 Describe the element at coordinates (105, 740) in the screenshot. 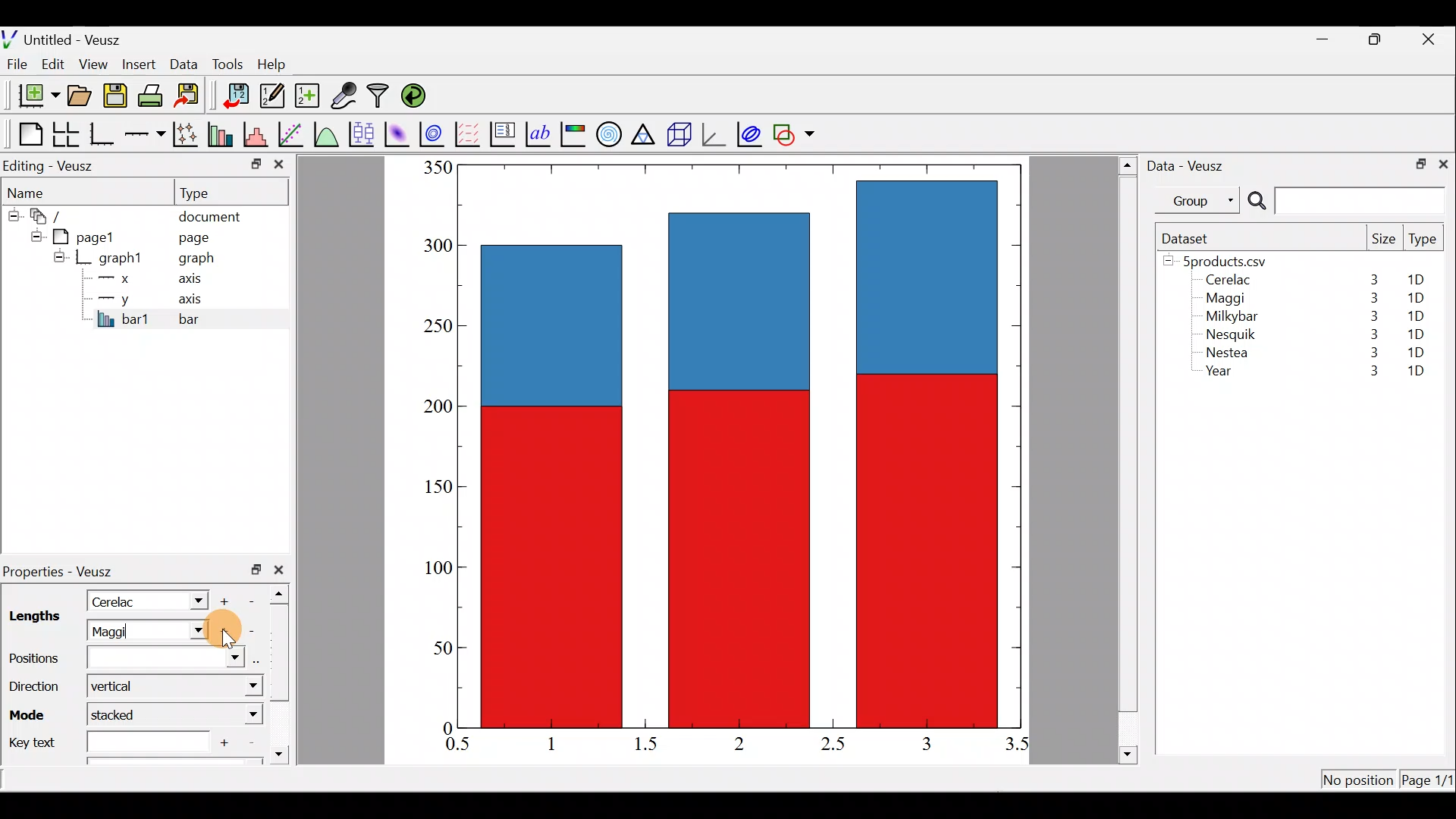

I see `Key text` at that location.